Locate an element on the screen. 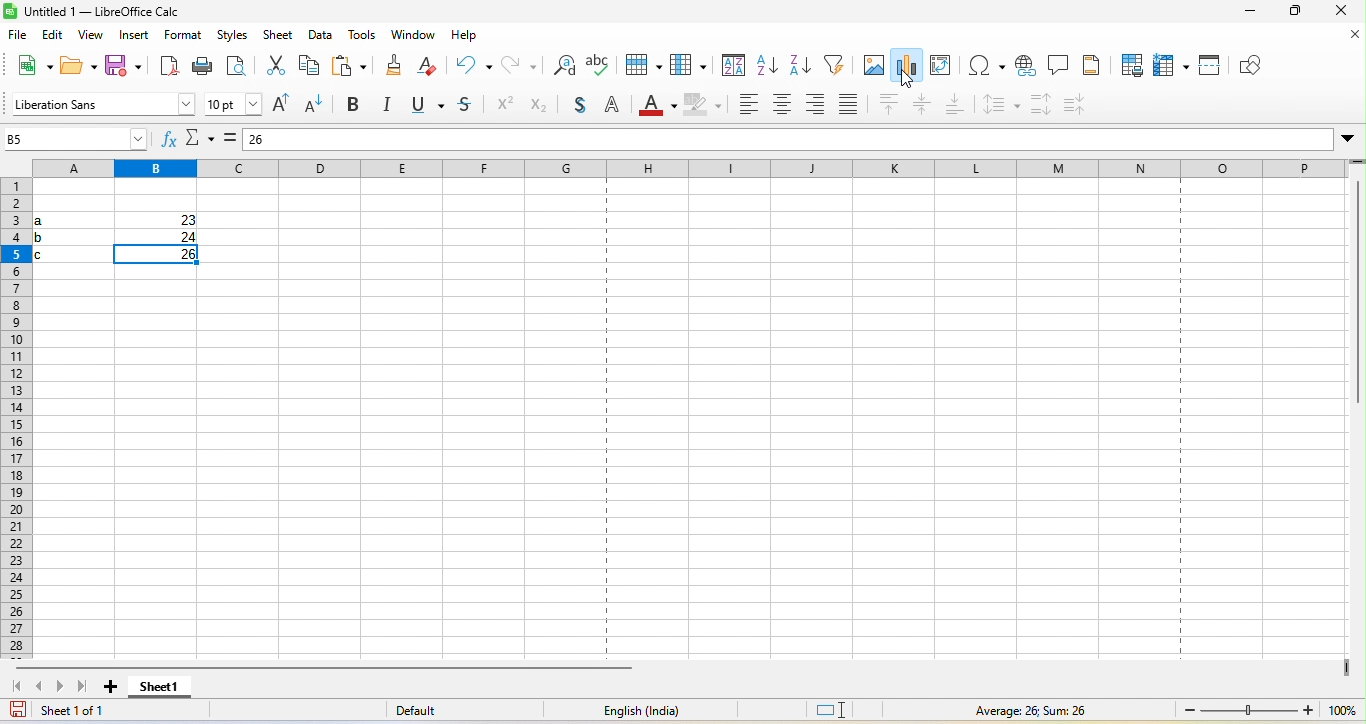 The image size is (1366, 724). justified is located at coordinates (849, 105).